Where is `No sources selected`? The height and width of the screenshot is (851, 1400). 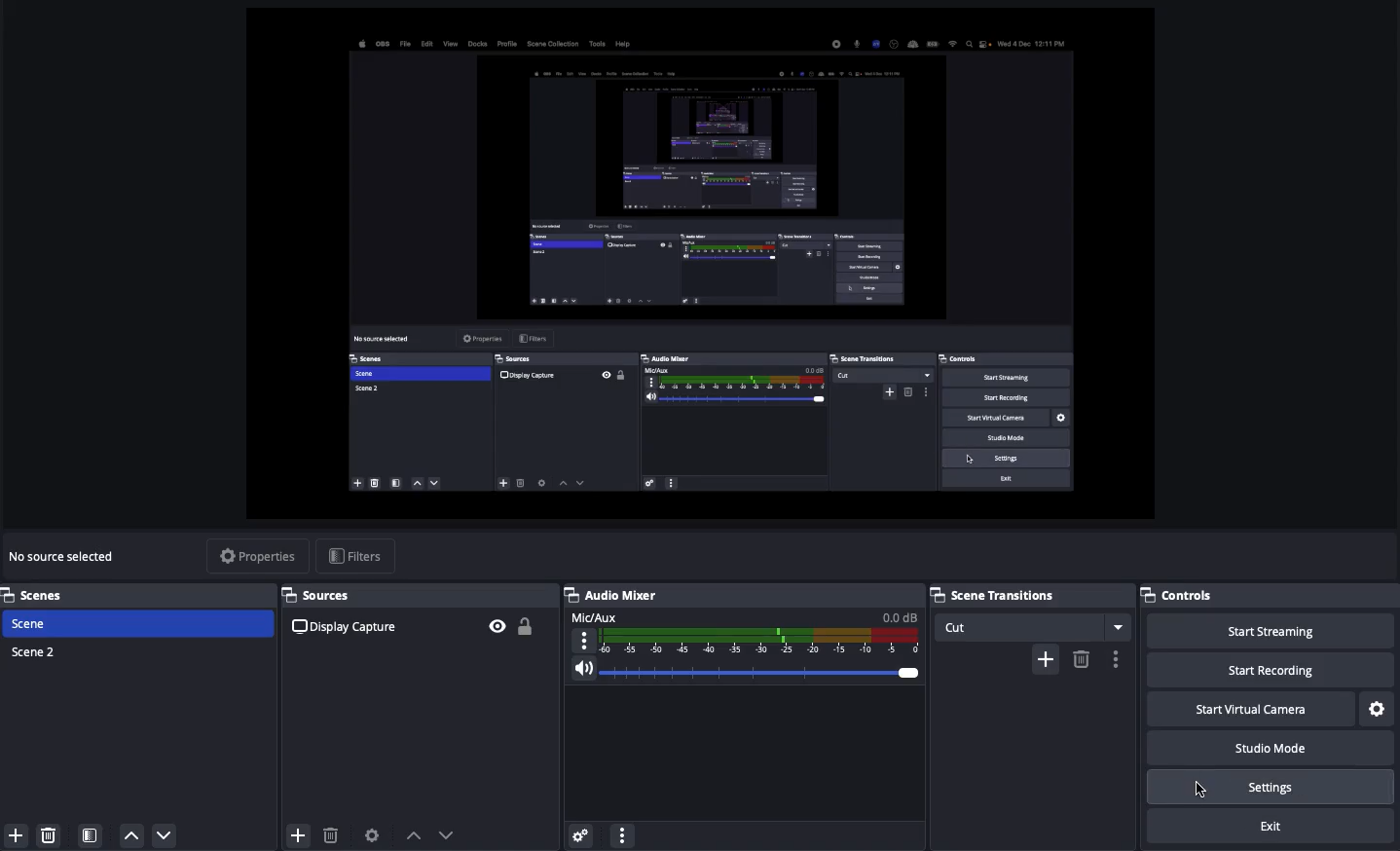
No sources selected is located at coordinates (68, 556).